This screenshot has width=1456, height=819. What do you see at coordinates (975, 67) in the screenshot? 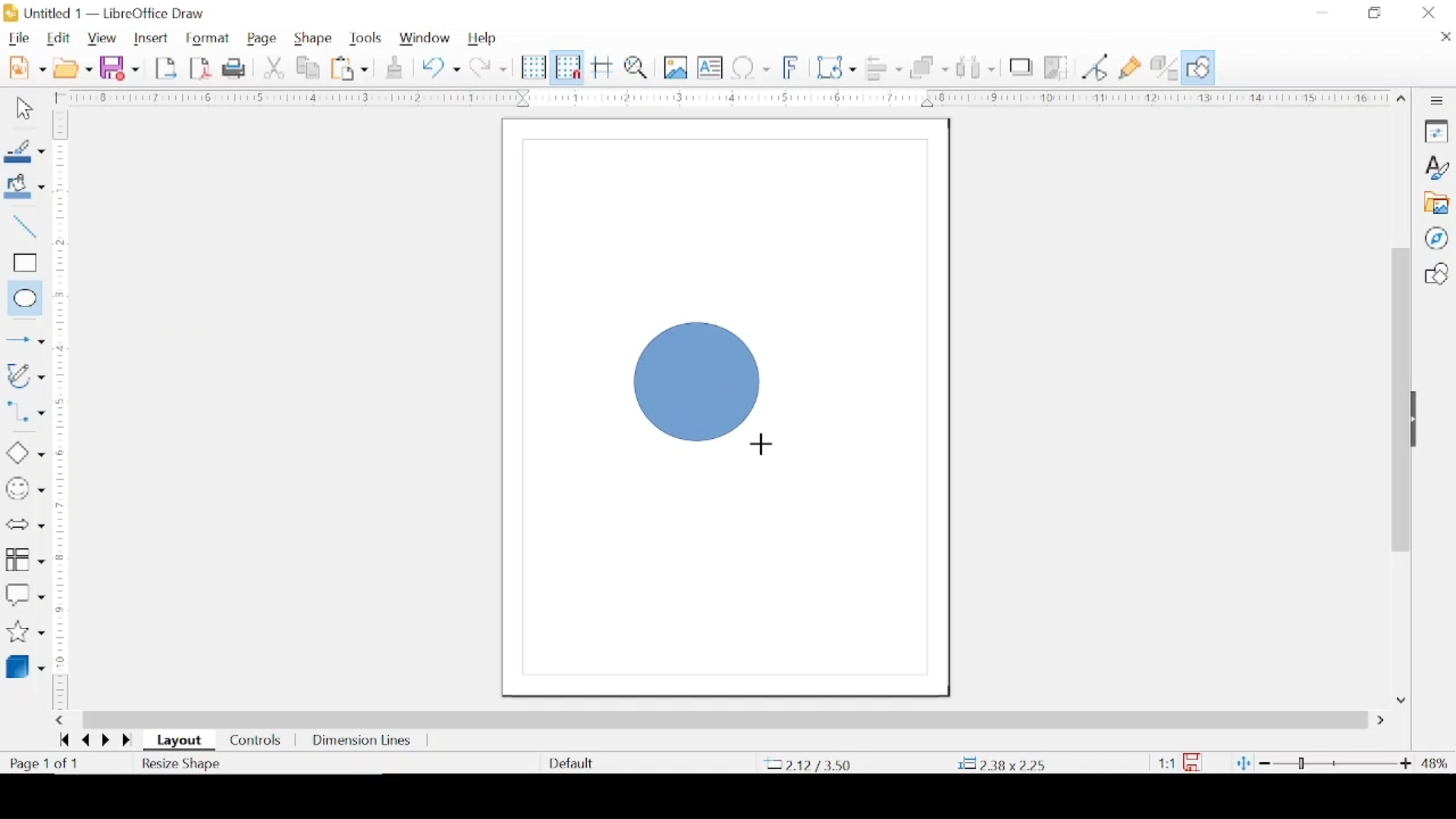
I see `select at least three objects to distribute` at bounding box center [975, 67].